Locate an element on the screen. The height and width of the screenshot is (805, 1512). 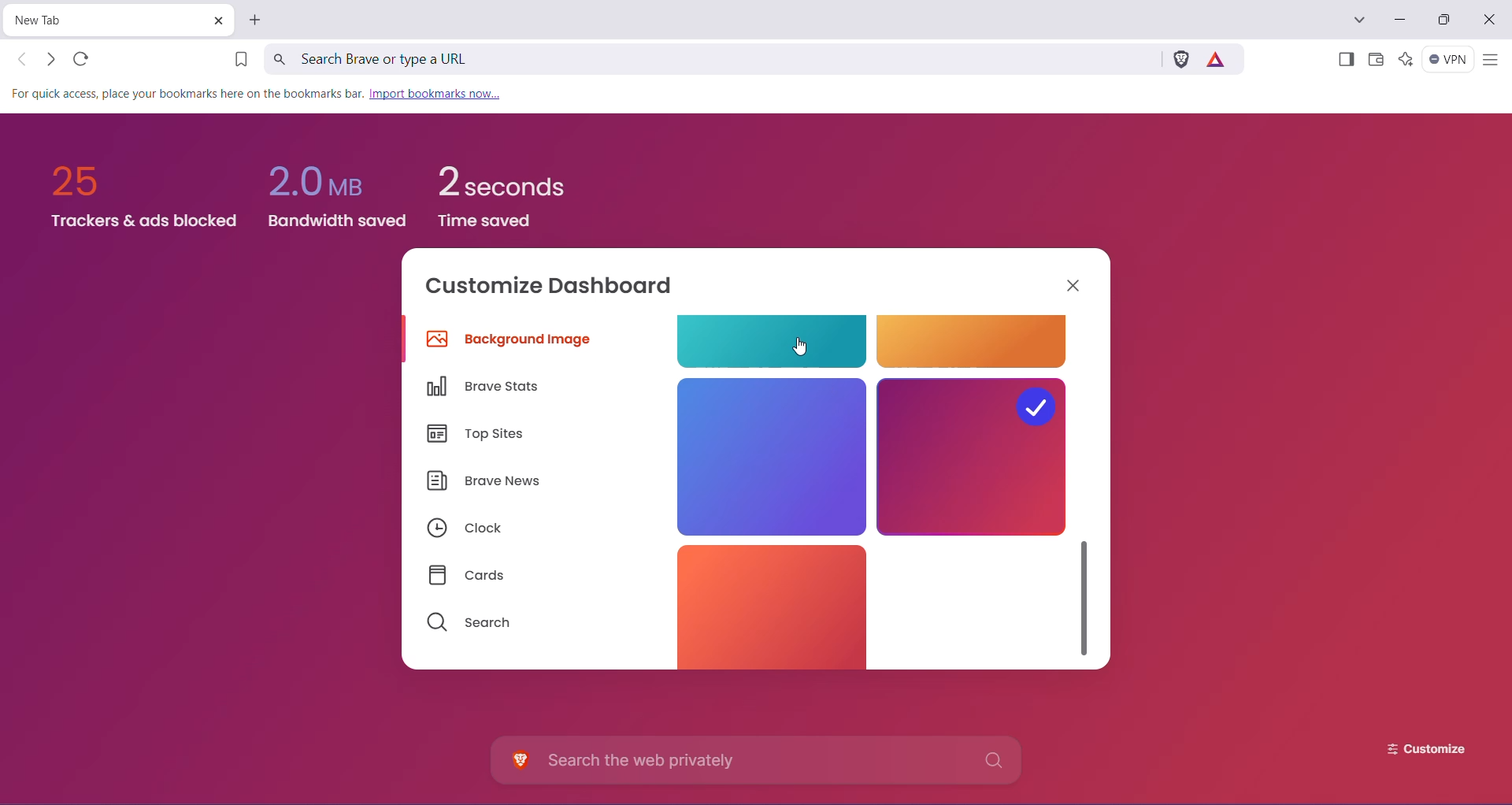
Click to go forward, hold to see history is located at coordinates (50, 59).